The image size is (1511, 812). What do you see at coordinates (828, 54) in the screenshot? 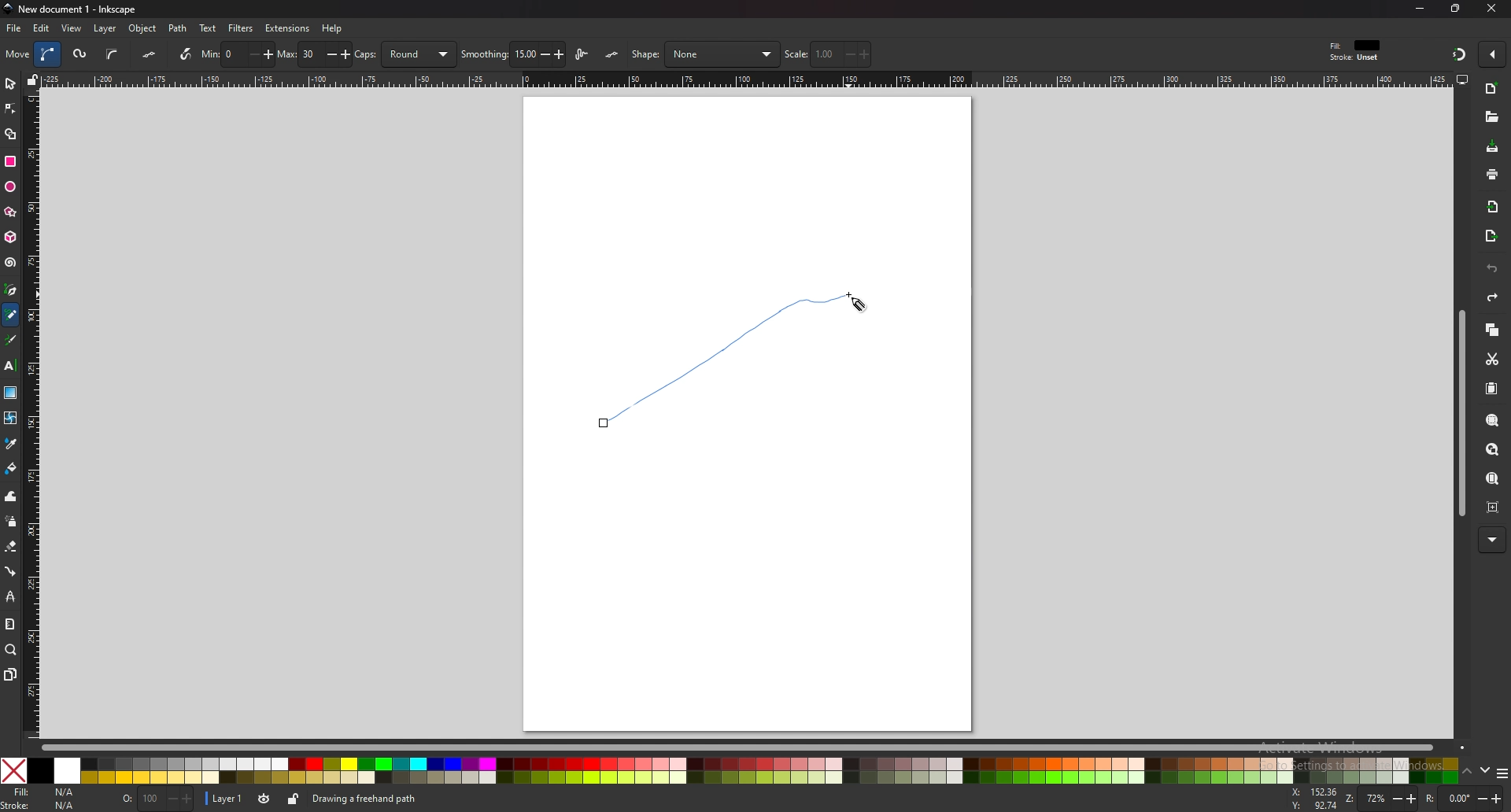
I see `scale` at bounding box center [828, 54].